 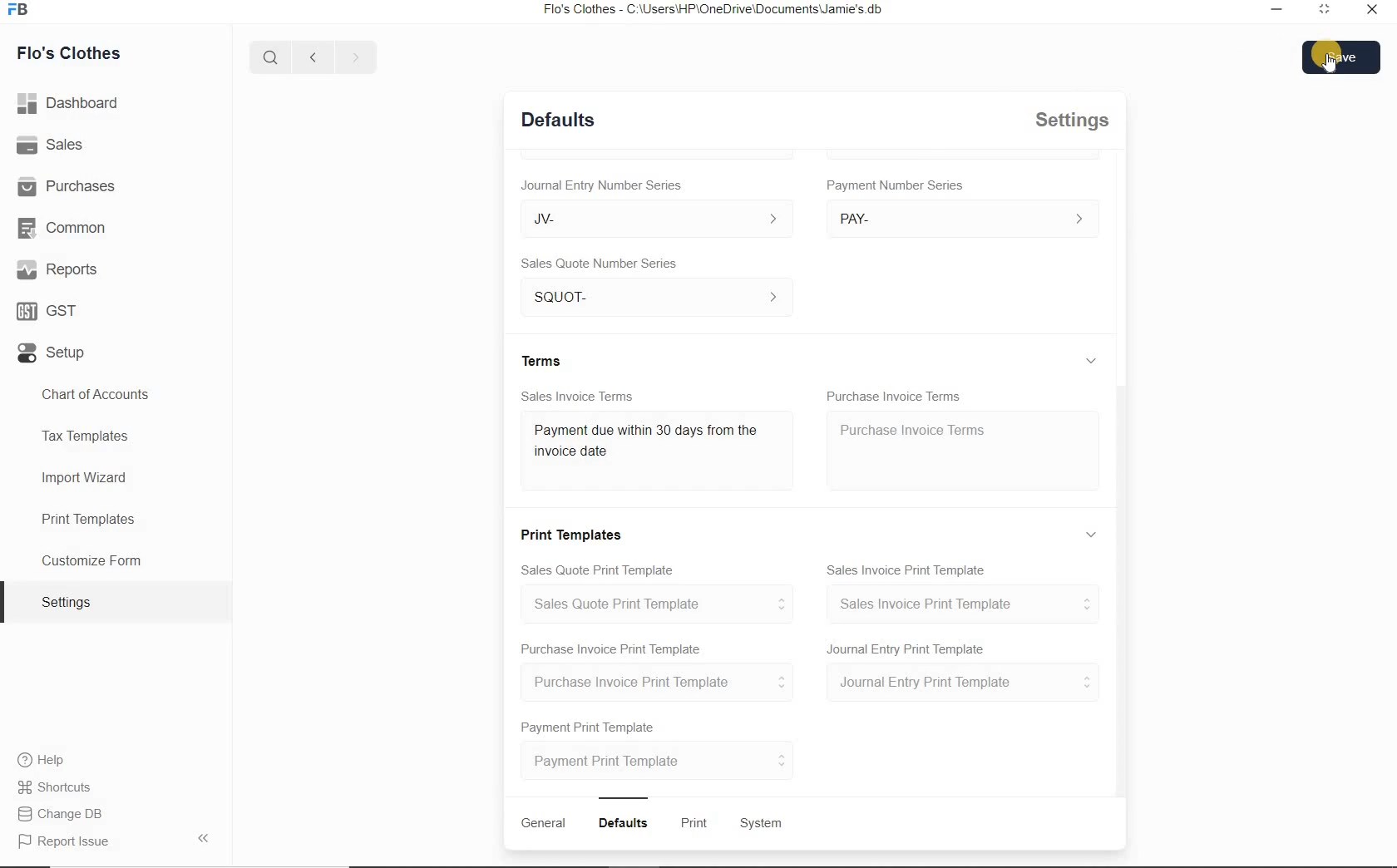 What do you see at coordinates (67, 185) in the screenshot?
I see `Purchases` at bounding box center [67, 185].